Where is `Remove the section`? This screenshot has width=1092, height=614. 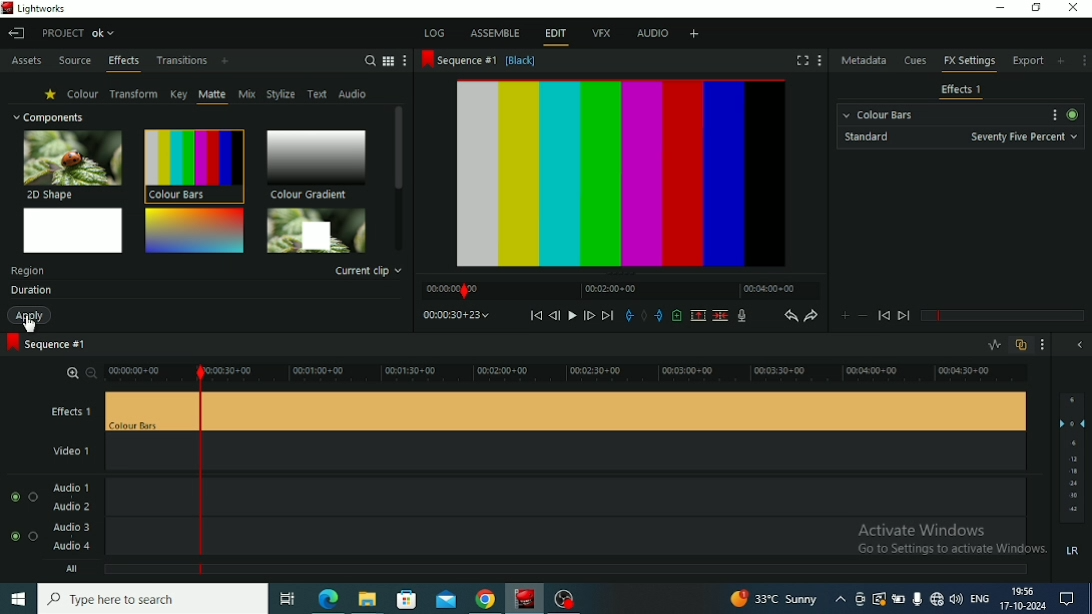
Remove the section is located at coordinates (698, 315).